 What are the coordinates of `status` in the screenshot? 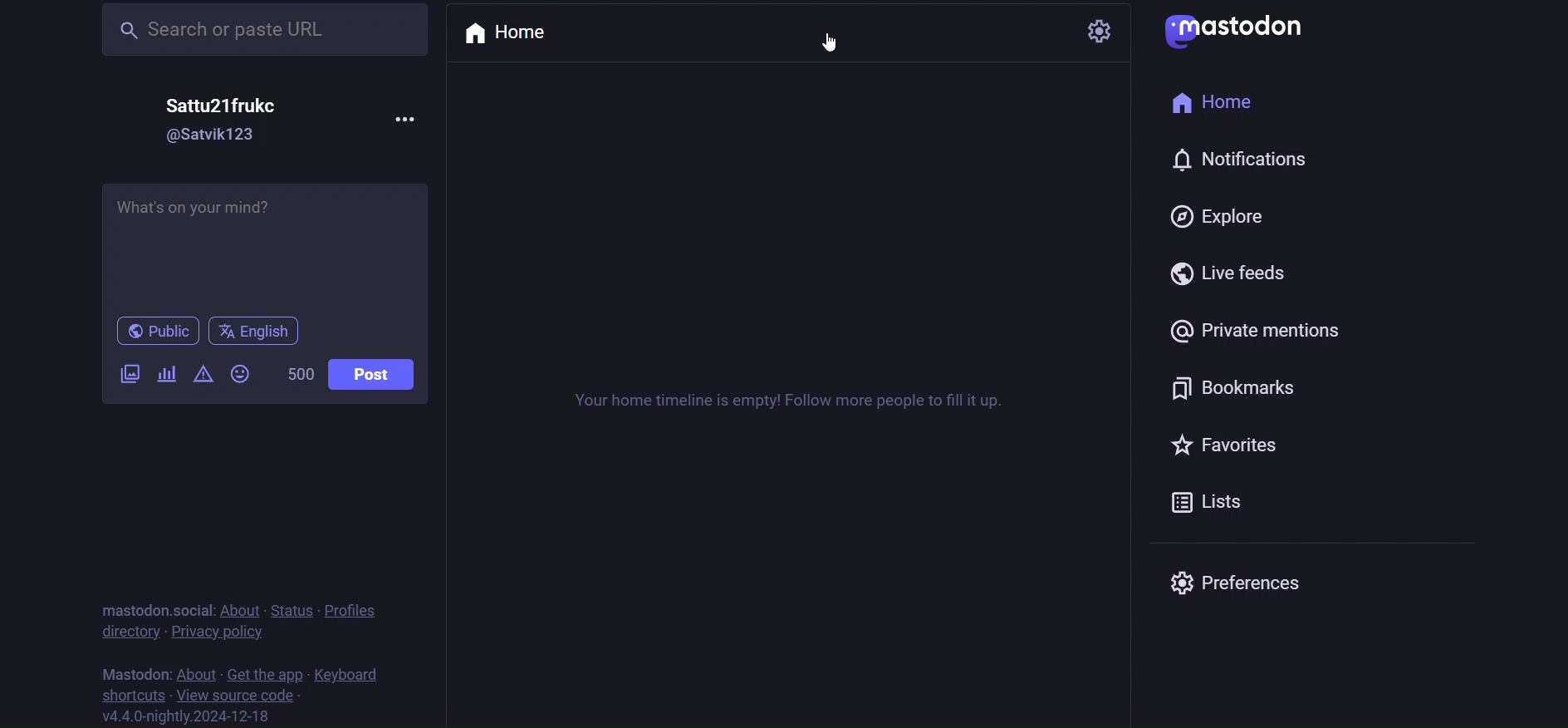 It's located at (290, 610).